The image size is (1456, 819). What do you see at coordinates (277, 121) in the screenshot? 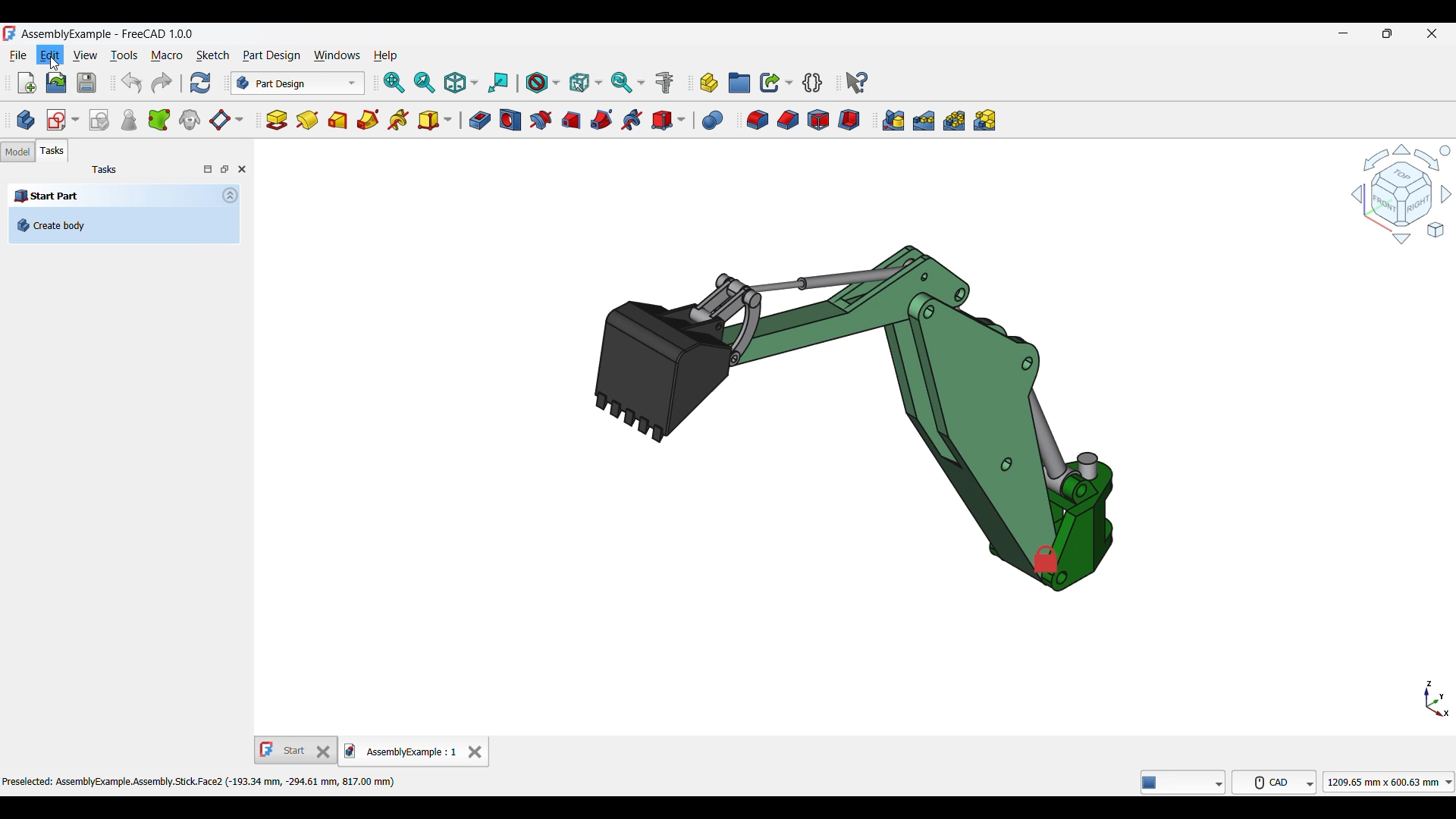
I see `Pad` at bounding box center [277, 121].